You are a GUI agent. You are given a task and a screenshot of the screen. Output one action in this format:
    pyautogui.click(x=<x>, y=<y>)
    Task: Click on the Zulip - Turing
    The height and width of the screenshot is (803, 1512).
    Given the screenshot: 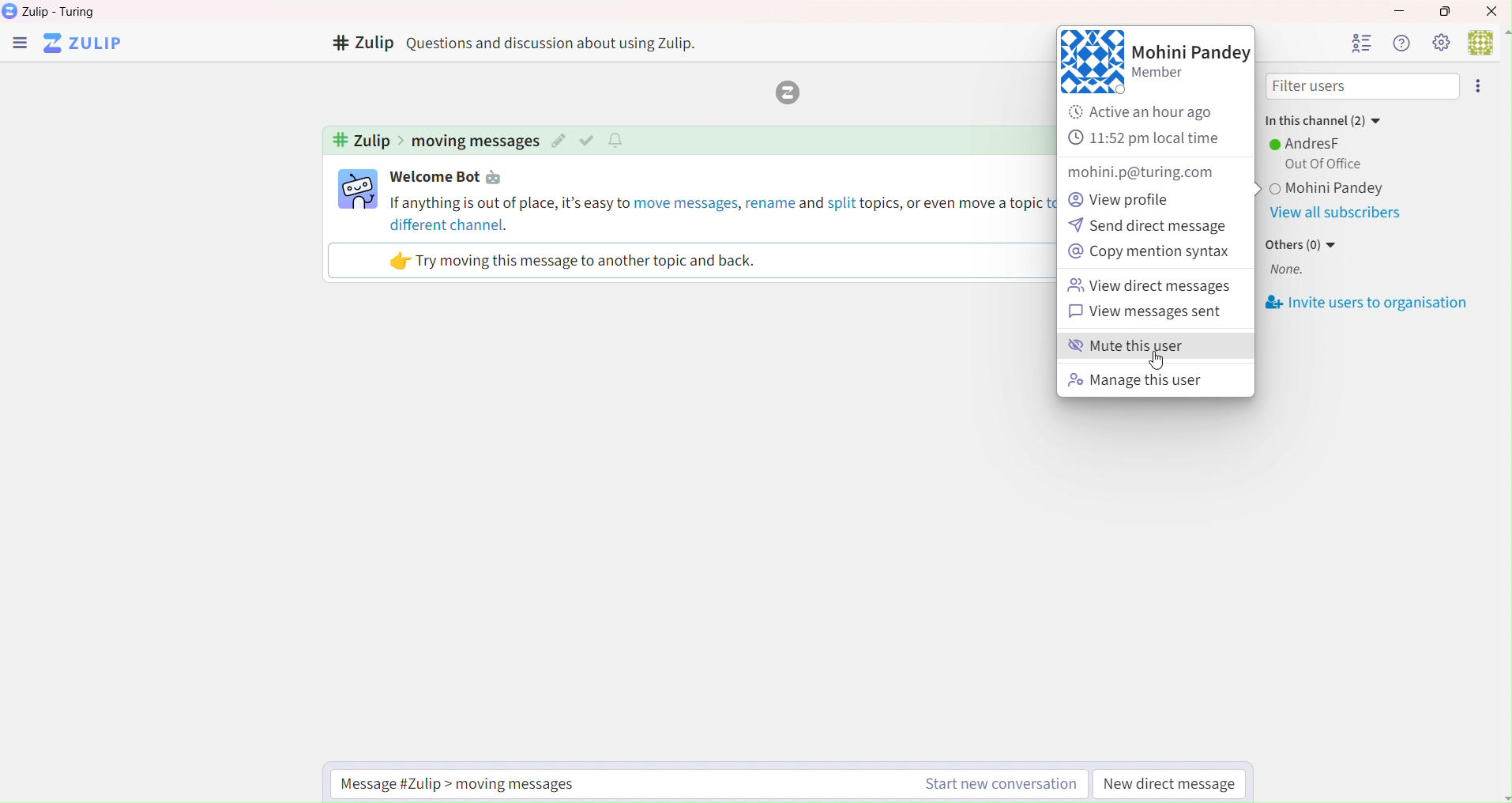 What is the action you would take?
    pyautogui.click(x=63, y=12)
    